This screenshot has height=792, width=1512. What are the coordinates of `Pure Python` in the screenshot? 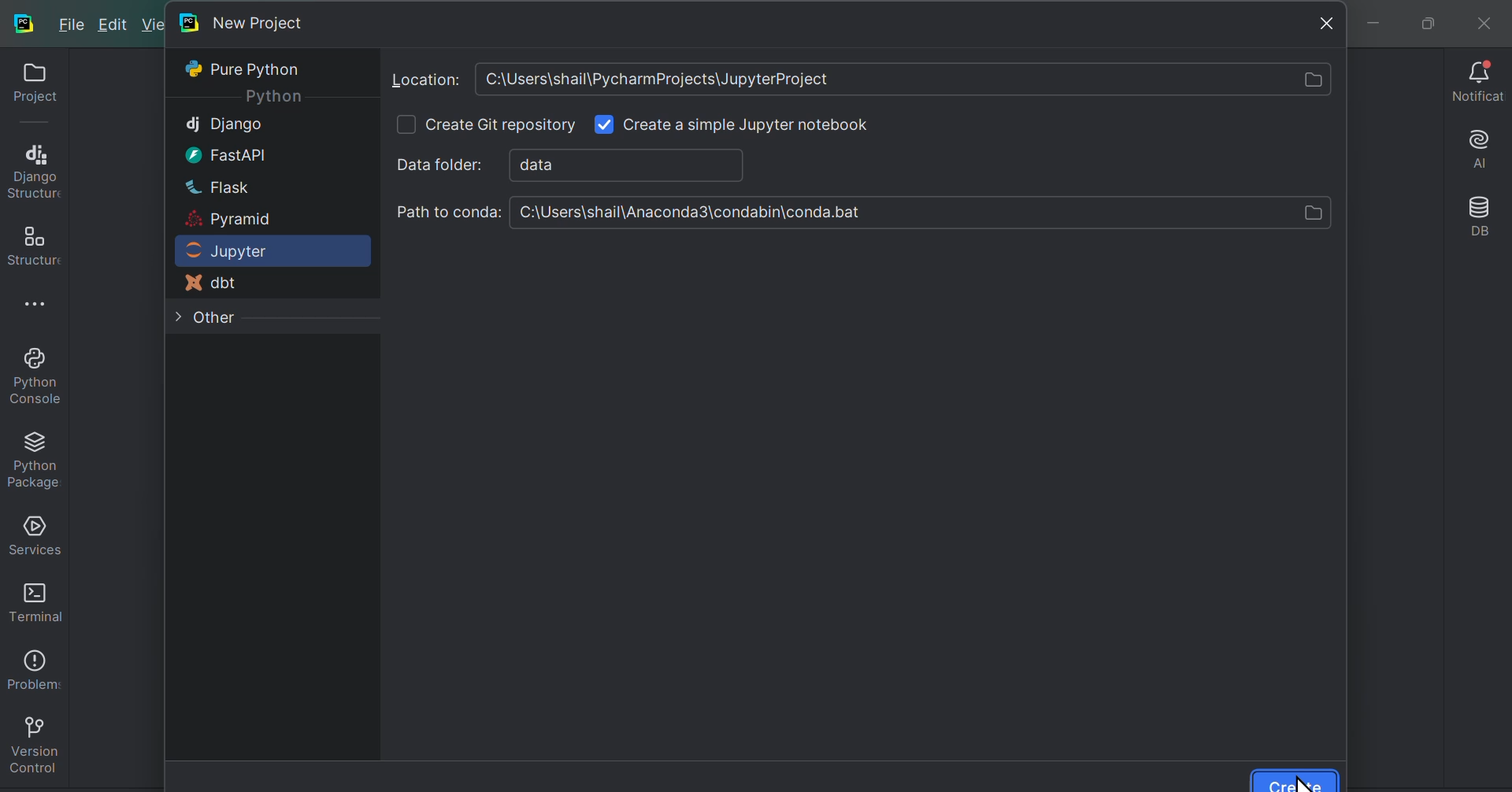 It's located at (248, 68).